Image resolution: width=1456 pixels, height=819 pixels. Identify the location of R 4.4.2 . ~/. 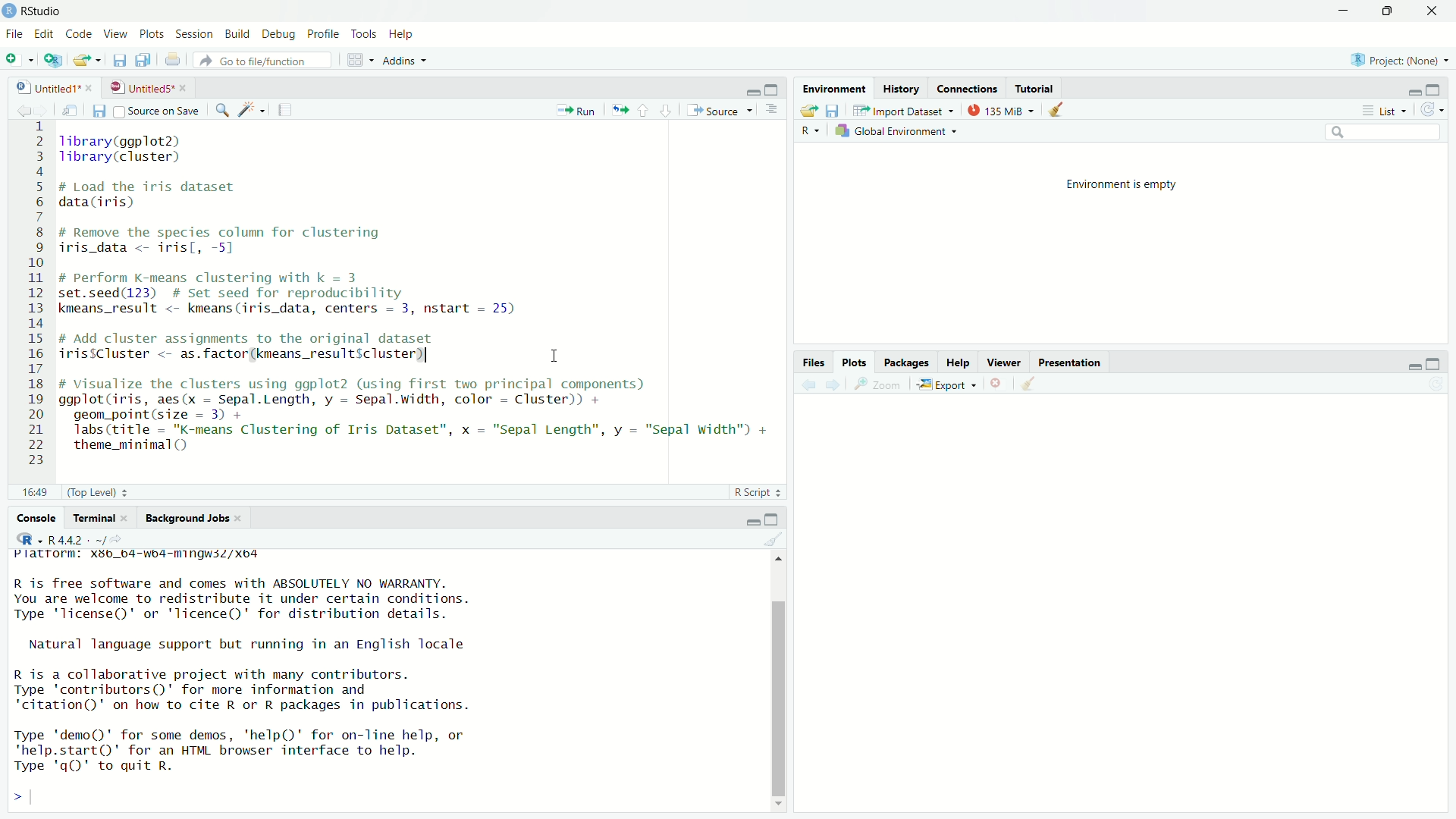
(76, 539).